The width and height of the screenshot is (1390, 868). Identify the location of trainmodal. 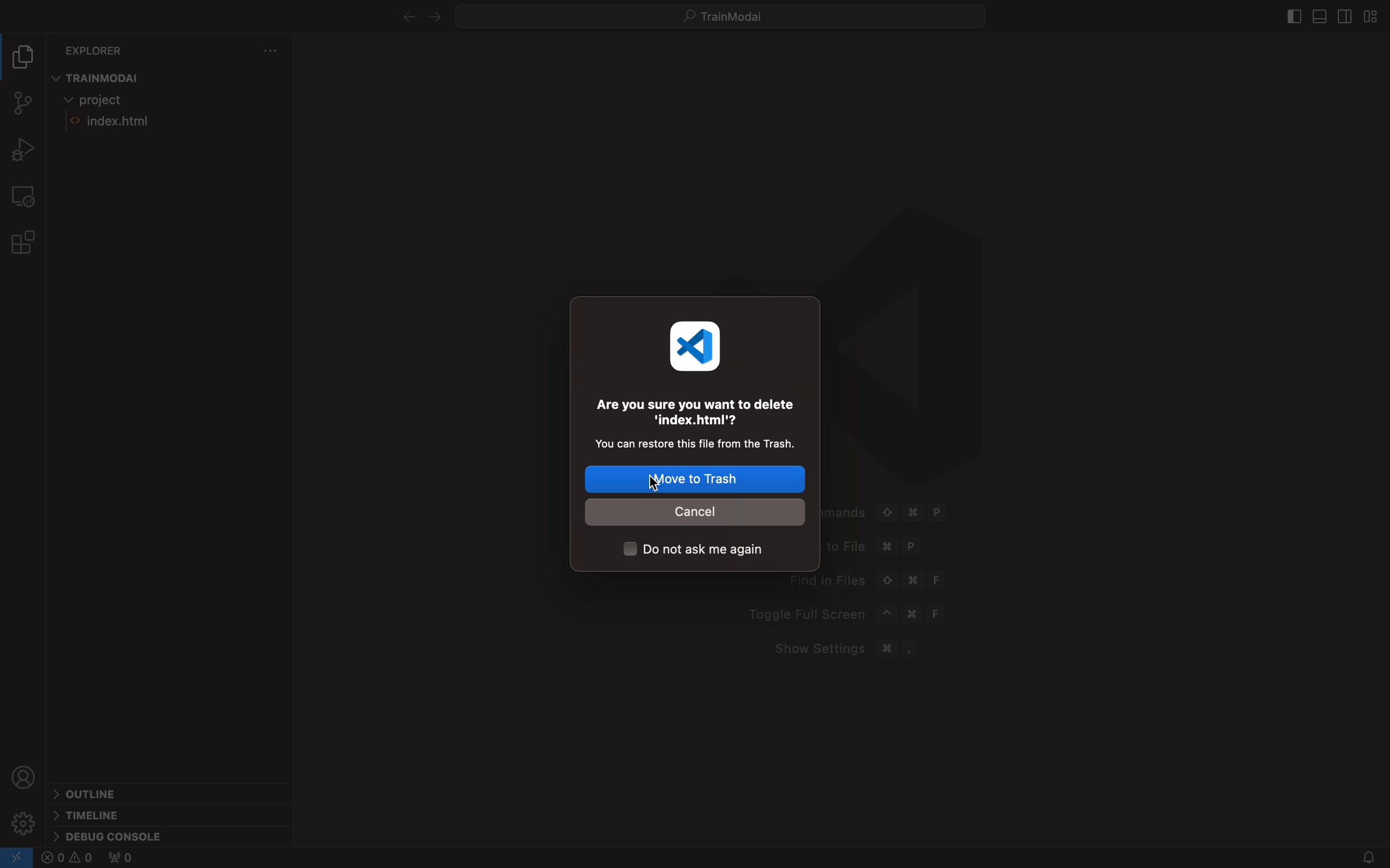
(106, 76).